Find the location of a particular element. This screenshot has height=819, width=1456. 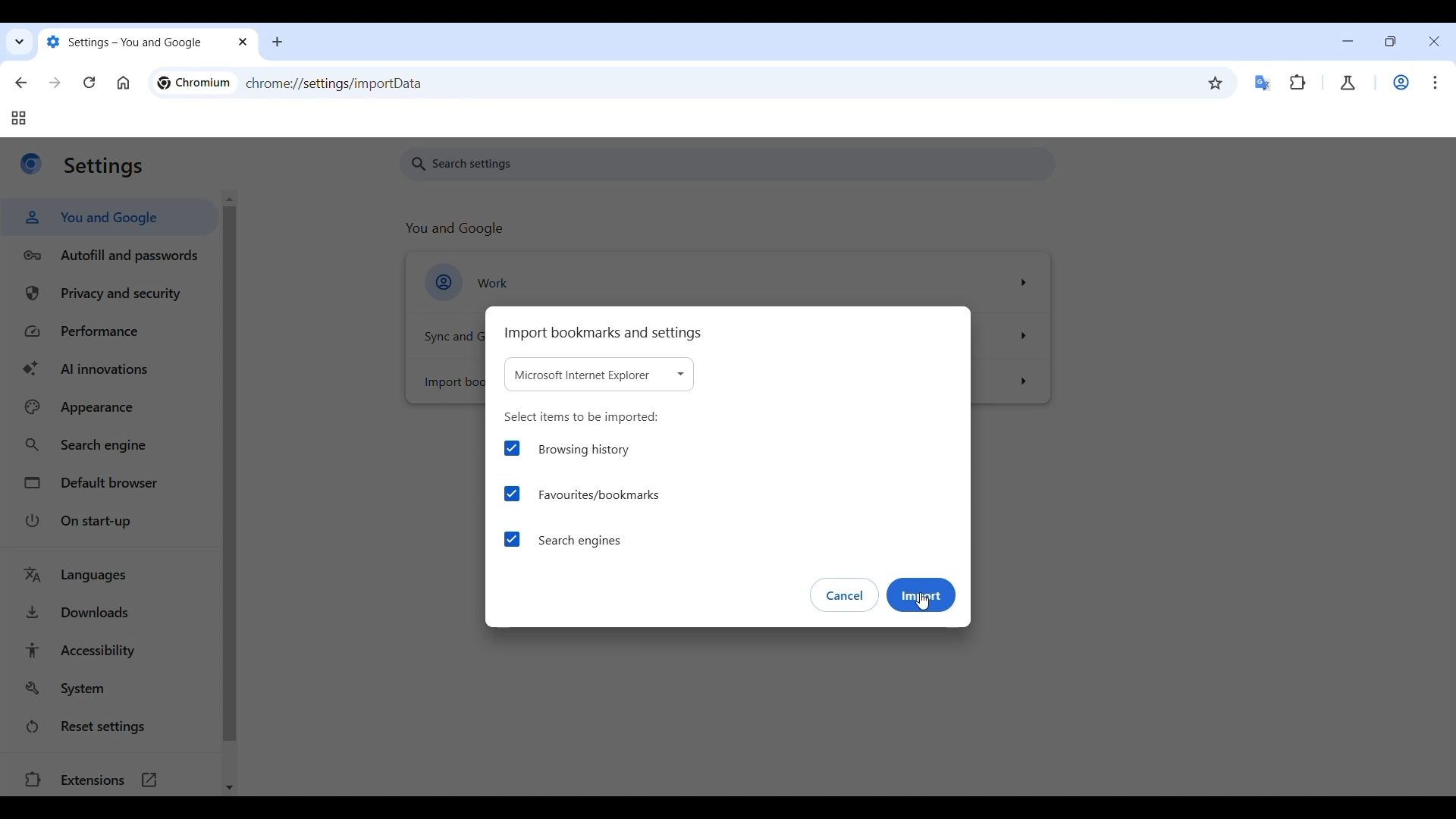

Quick slide to bottom is located at coordinates (230, 788).